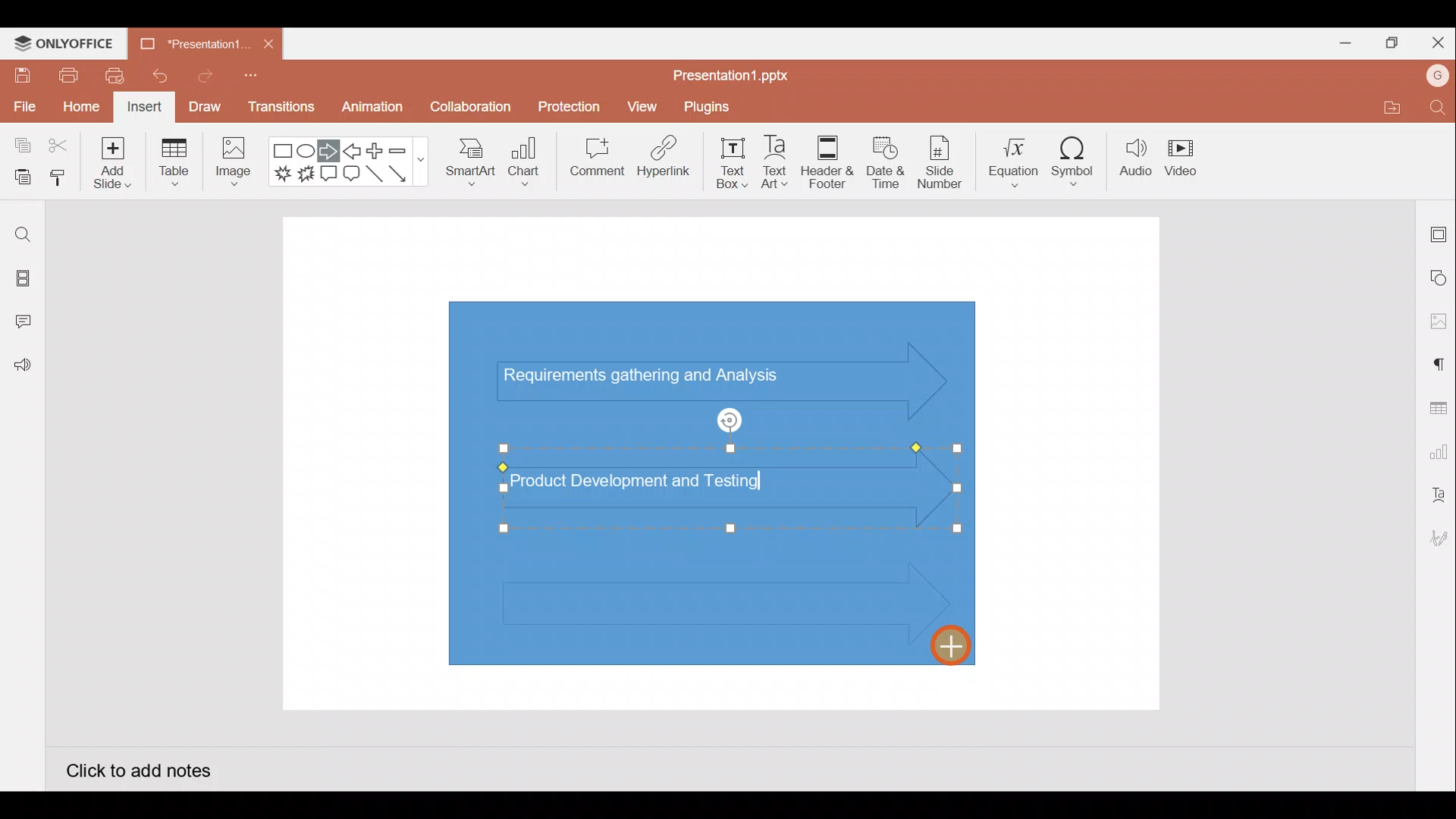 The image size is (1456, 819). Describe the element at coordinates (1436, 540) in the screenshot. I see `Signature settings` at that location.